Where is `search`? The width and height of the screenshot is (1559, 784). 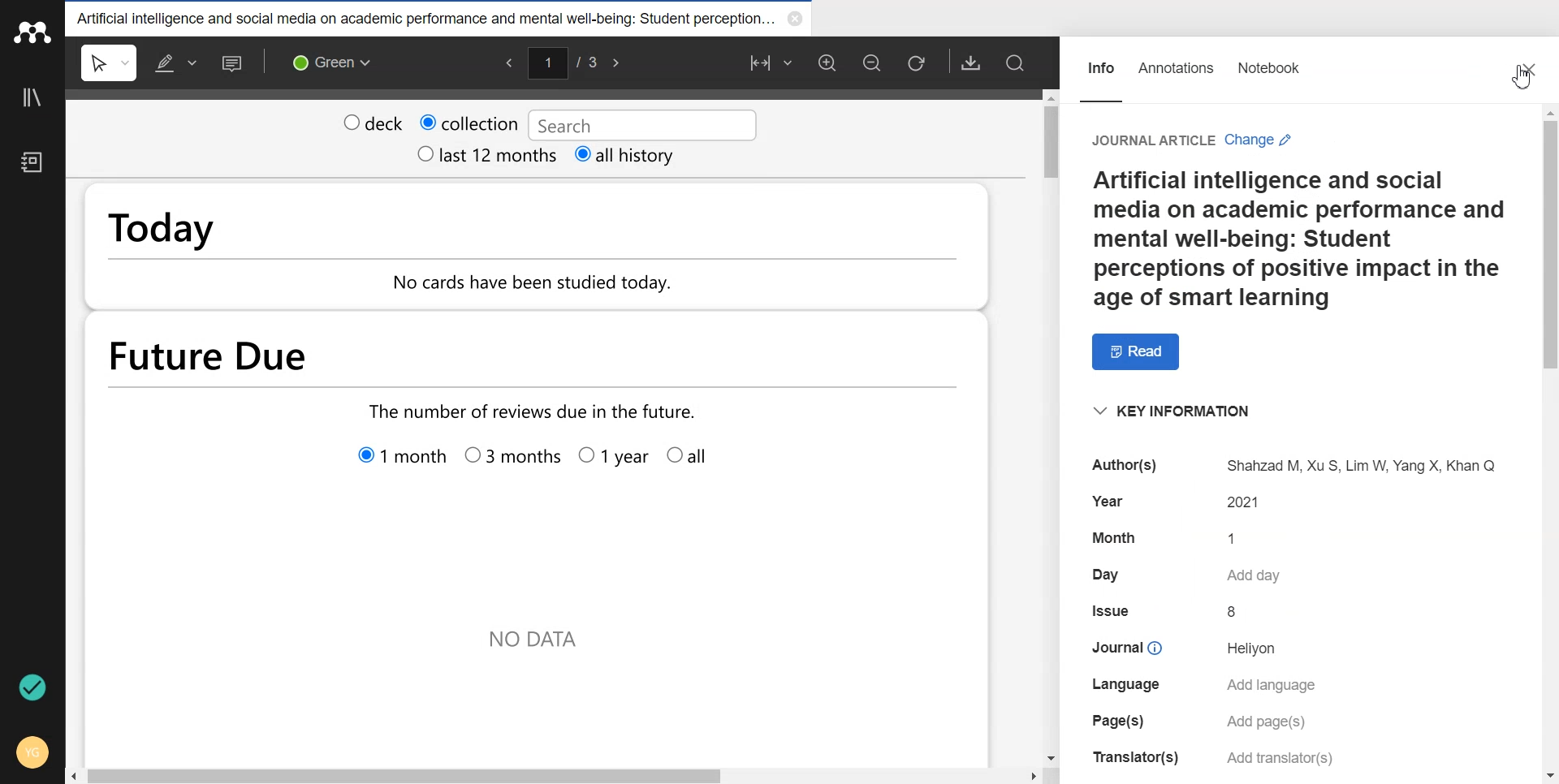 search is located at coordinates (639, 123).